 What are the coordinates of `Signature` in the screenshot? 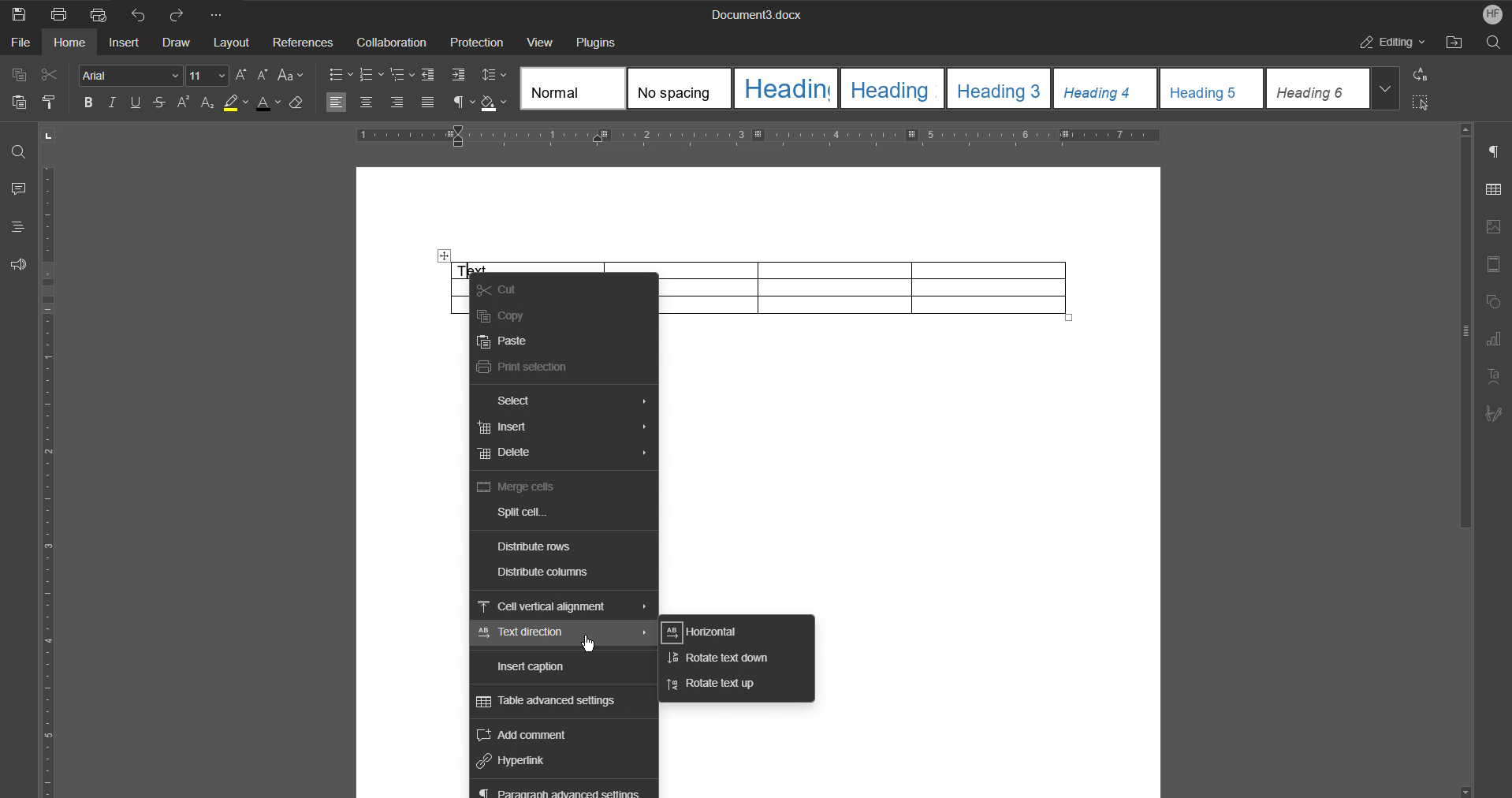 It's located at (1495, 410).